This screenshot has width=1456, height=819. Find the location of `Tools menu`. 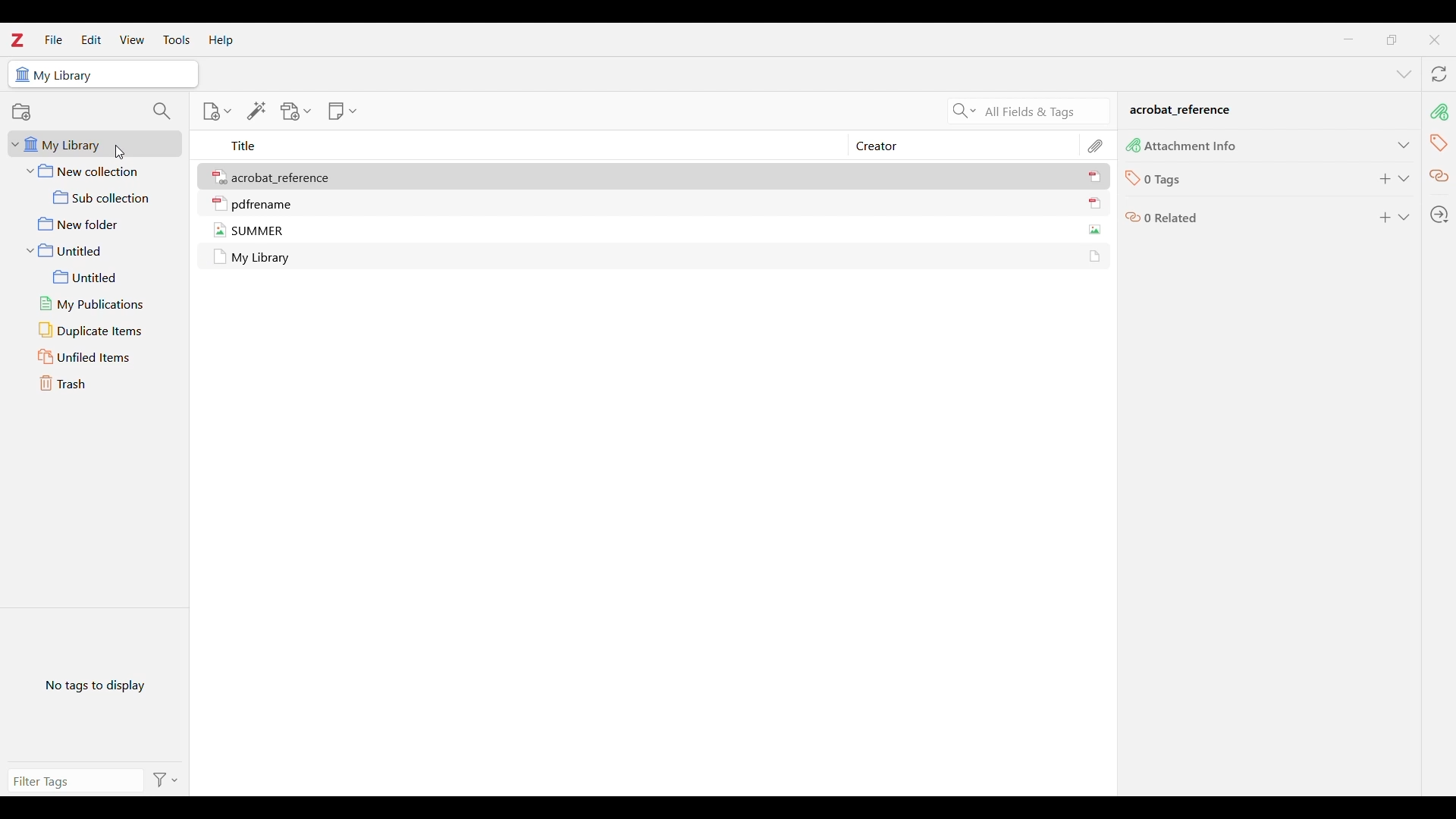

Tools menu is located at coordinates (177, 39).